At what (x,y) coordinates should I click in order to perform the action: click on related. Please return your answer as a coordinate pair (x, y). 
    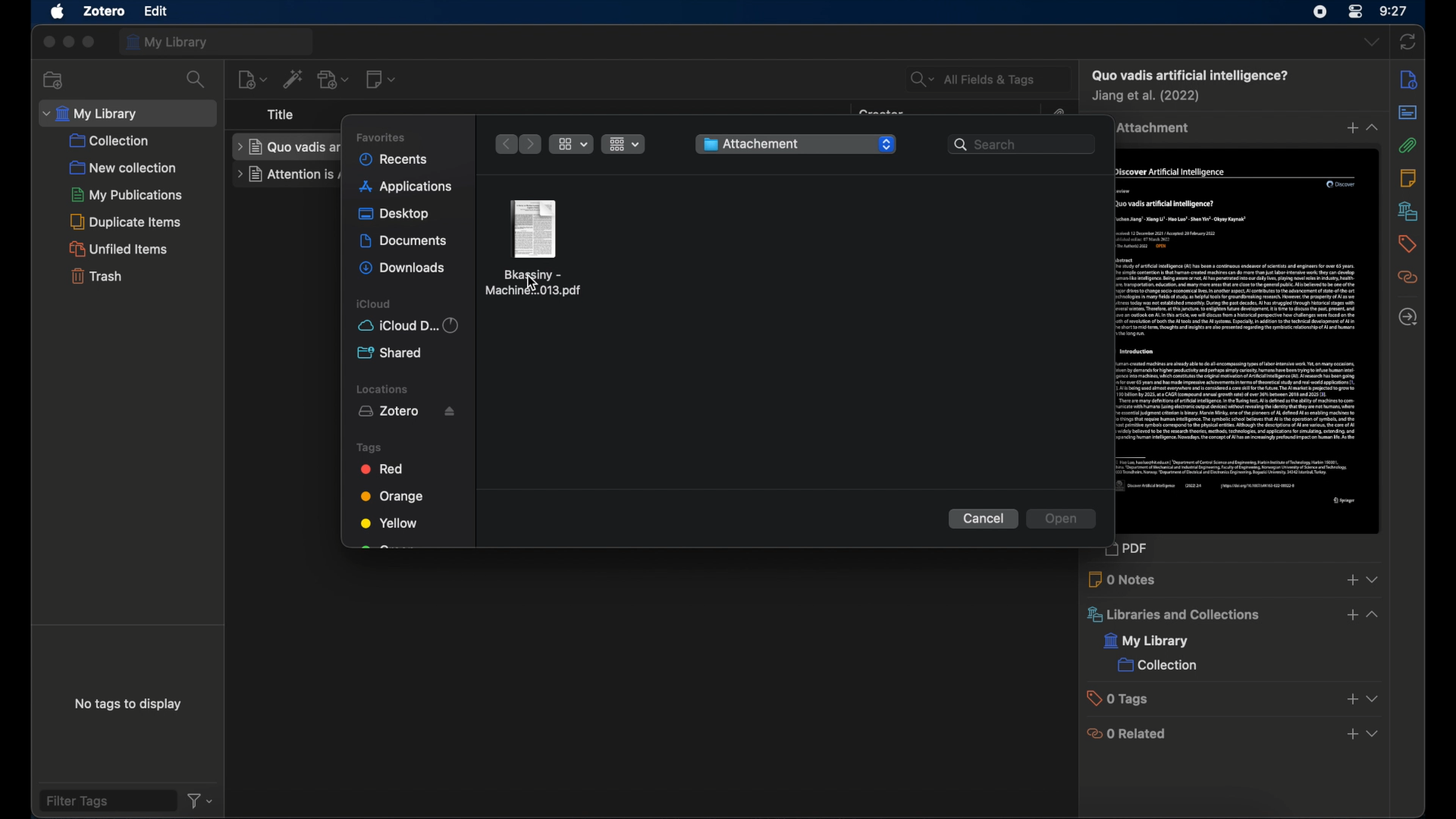
    Looking at the image, I should click on (1407, 278).